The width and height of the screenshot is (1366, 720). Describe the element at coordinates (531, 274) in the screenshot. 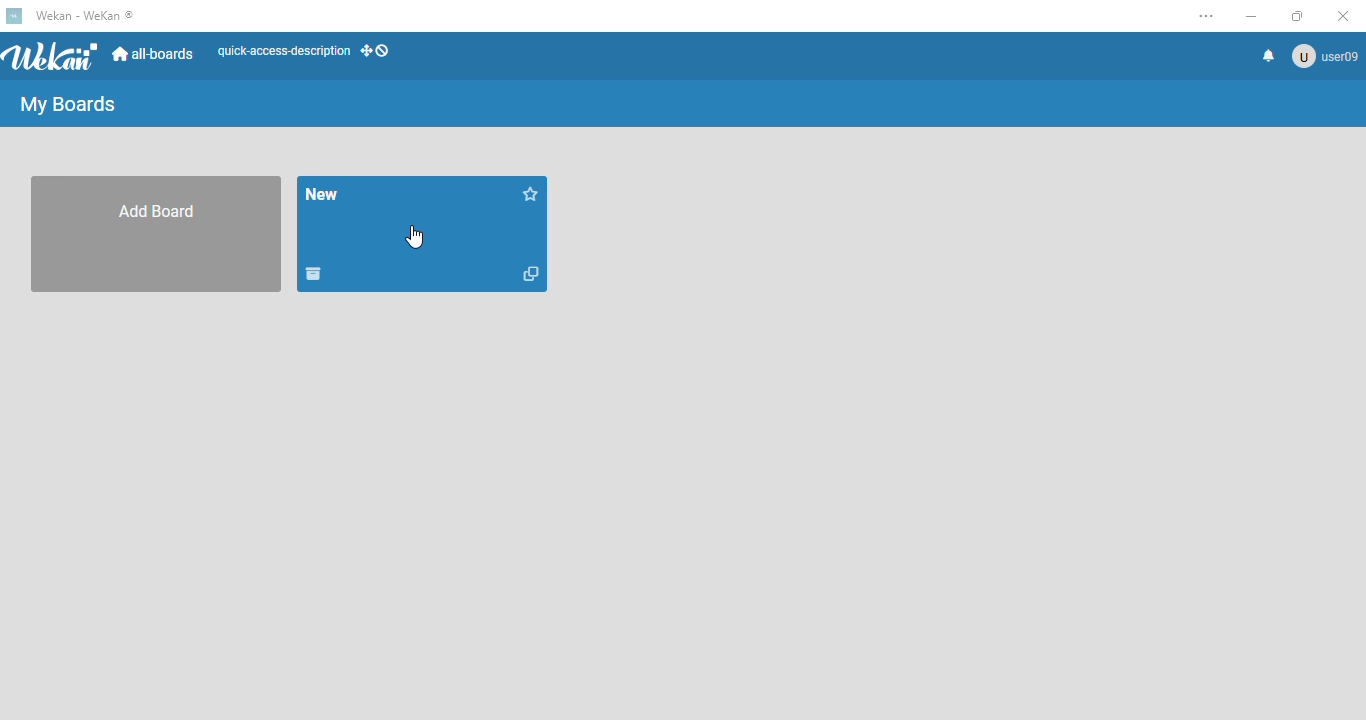

I see `duplicate board` at that location.